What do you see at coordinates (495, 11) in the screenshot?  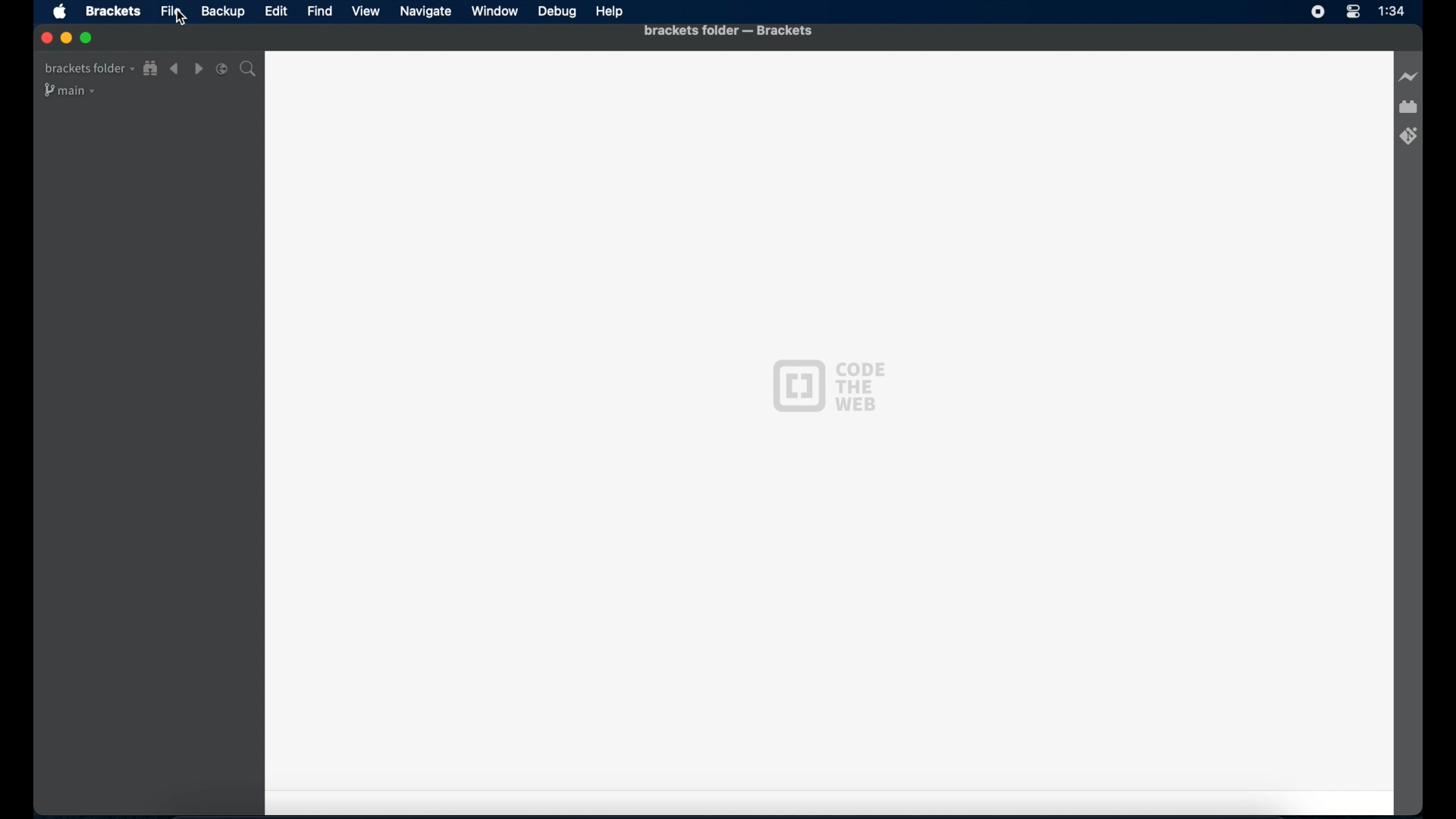 I see `Window` at bounding box center [495, 11].